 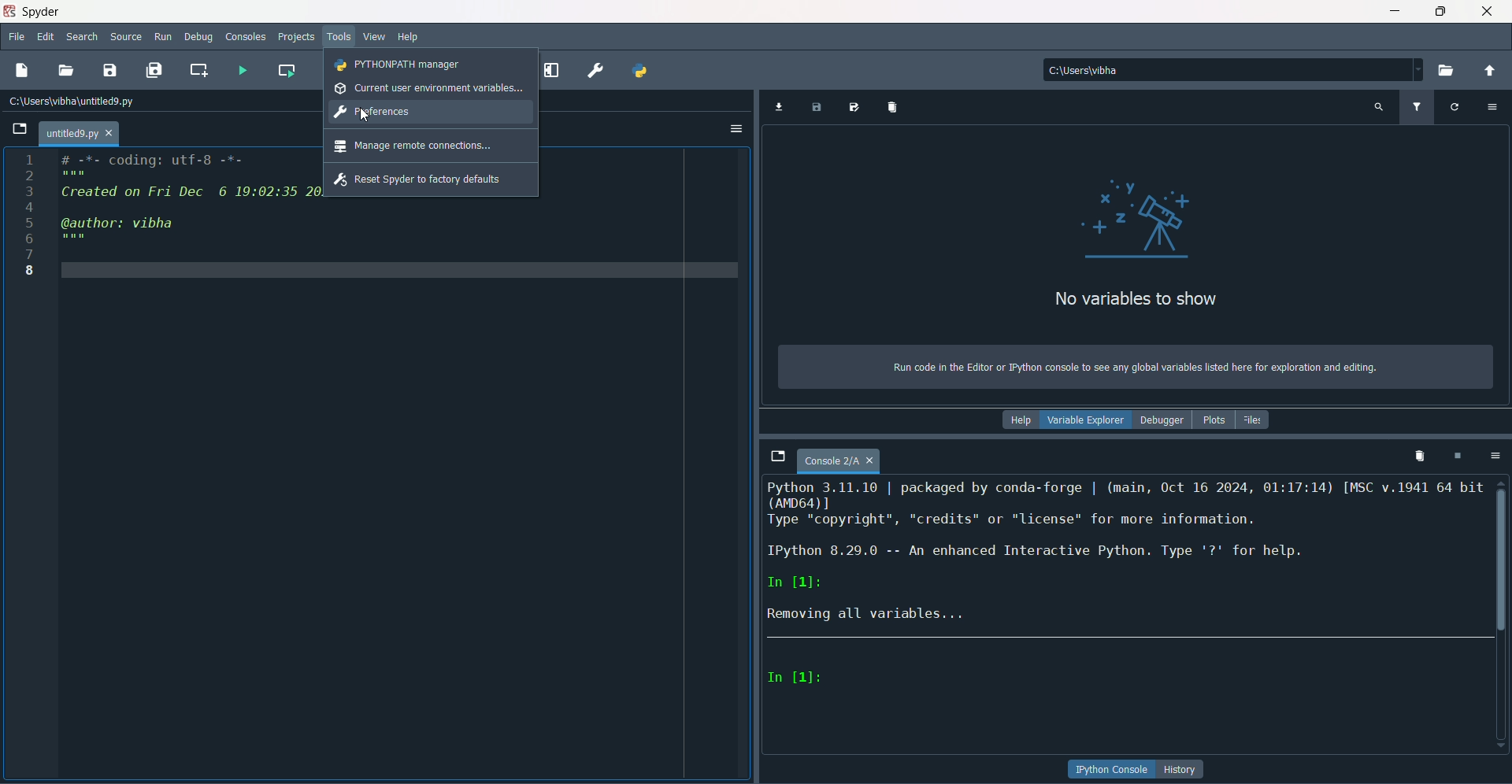 What do you see at coordinates (199, 69) in the screenshot?
I see `create new cell` at bounding box center [199, 69].